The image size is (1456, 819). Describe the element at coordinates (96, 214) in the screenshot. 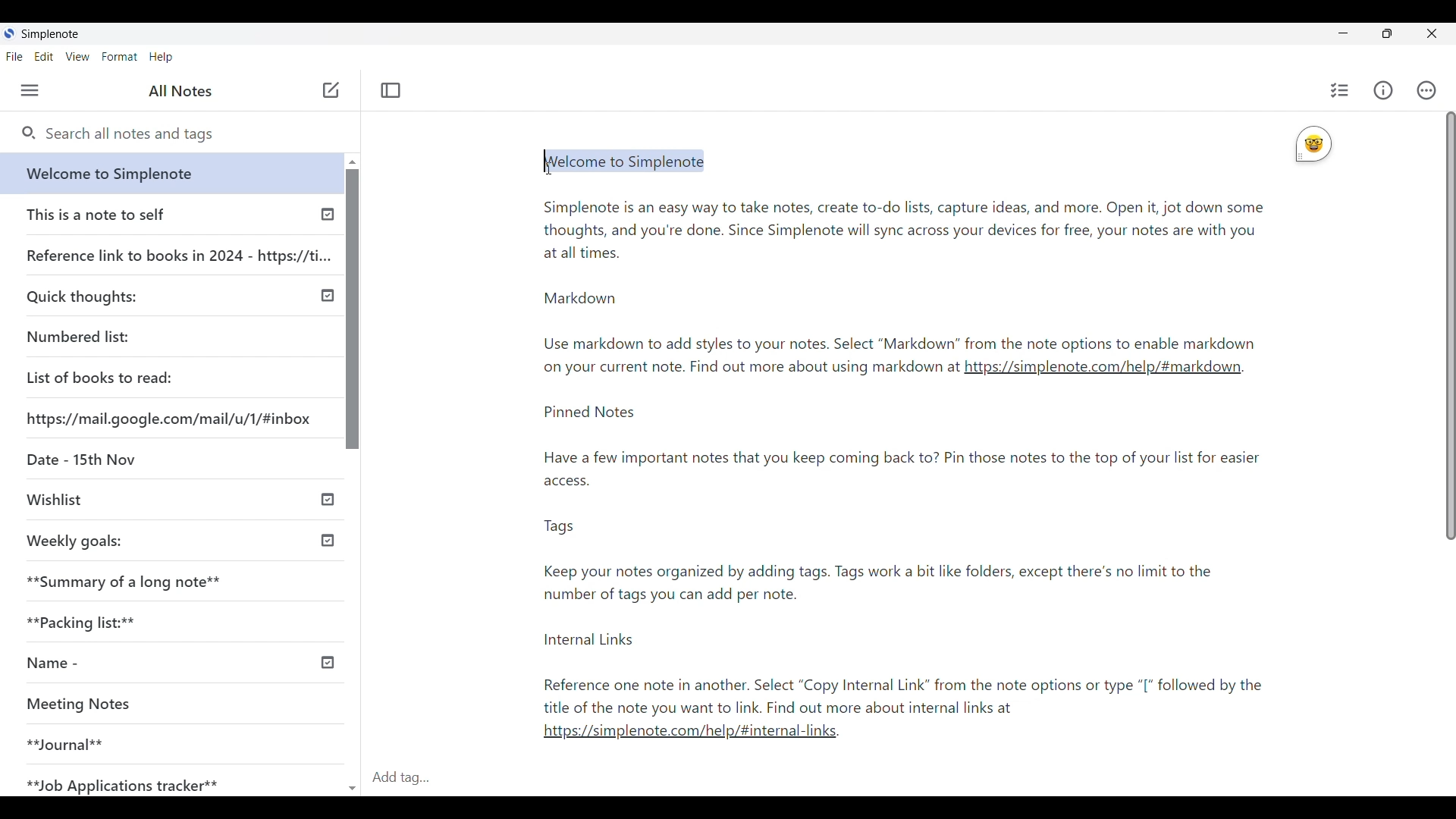

I see `This is a note to self` at that location.